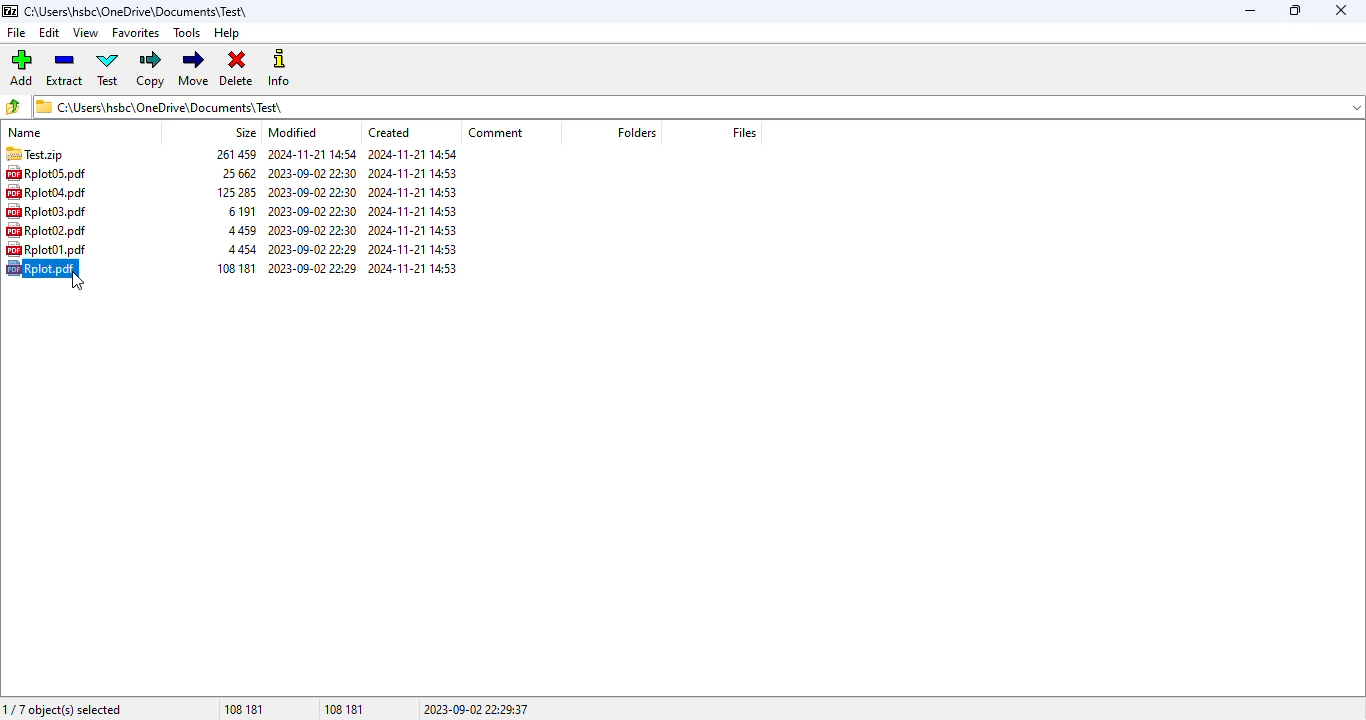  I want to click on  Rplot.pdf, select file, so click(47, 268).